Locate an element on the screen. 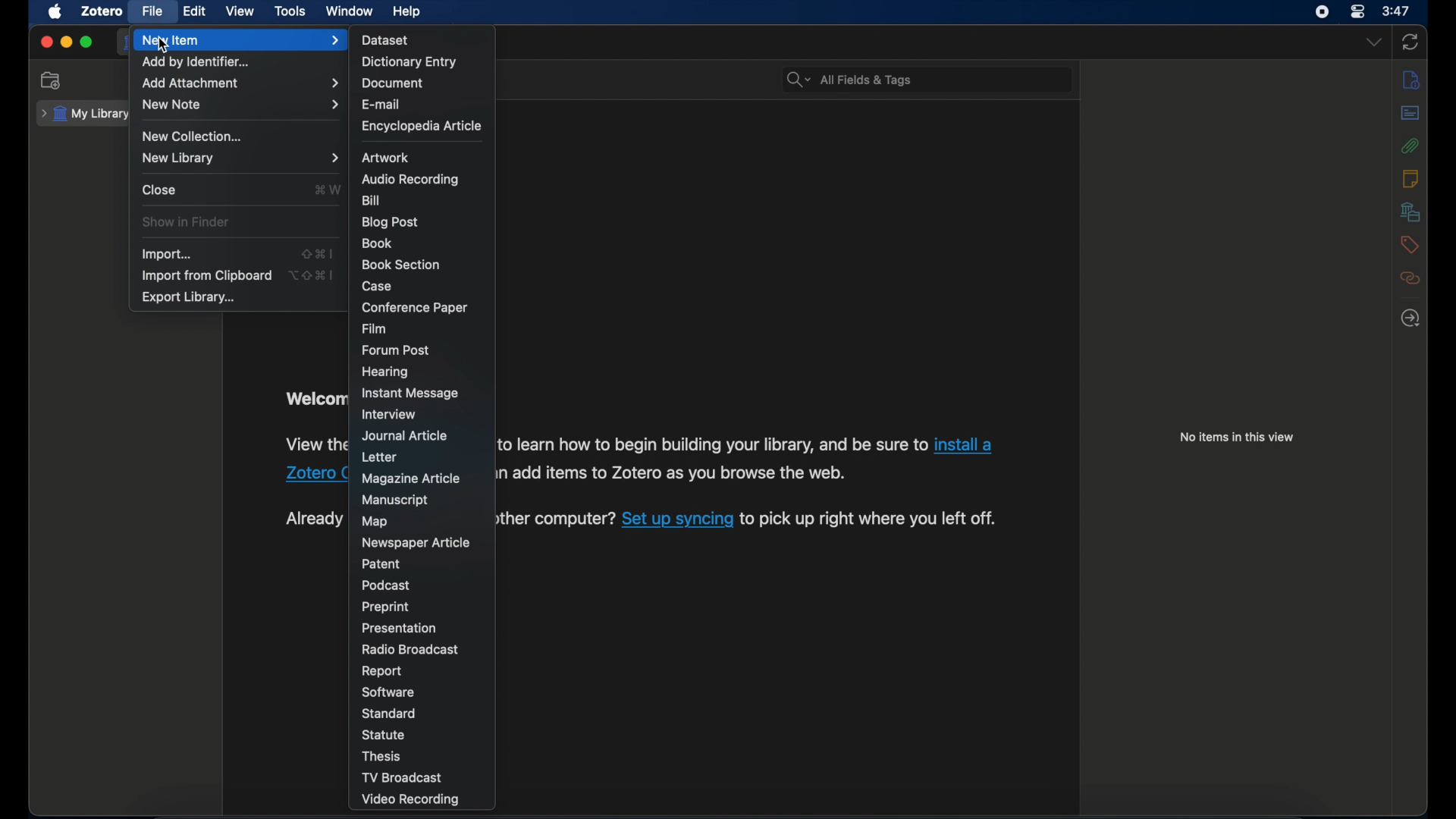 Image resolution: width=1456 pixels, height=819 pixels. book is located at coordinates (377, 243).